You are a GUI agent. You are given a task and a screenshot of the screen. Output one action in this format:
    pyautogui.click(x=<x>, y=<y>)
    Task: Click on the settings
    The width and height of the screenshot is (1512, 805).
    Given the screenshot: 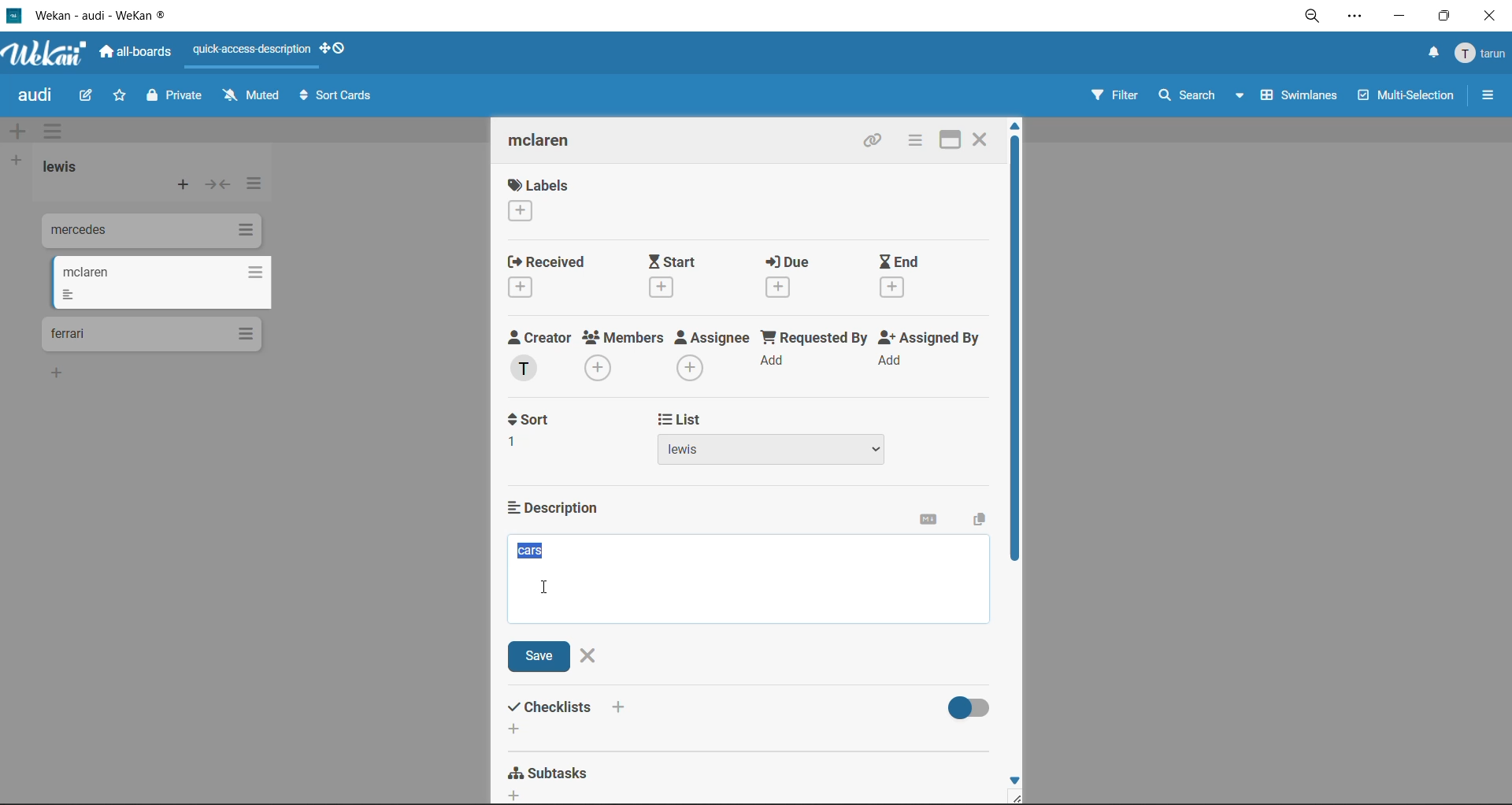 What is the action you would take?
    pyautogui.click(x=1354, y=18)
    